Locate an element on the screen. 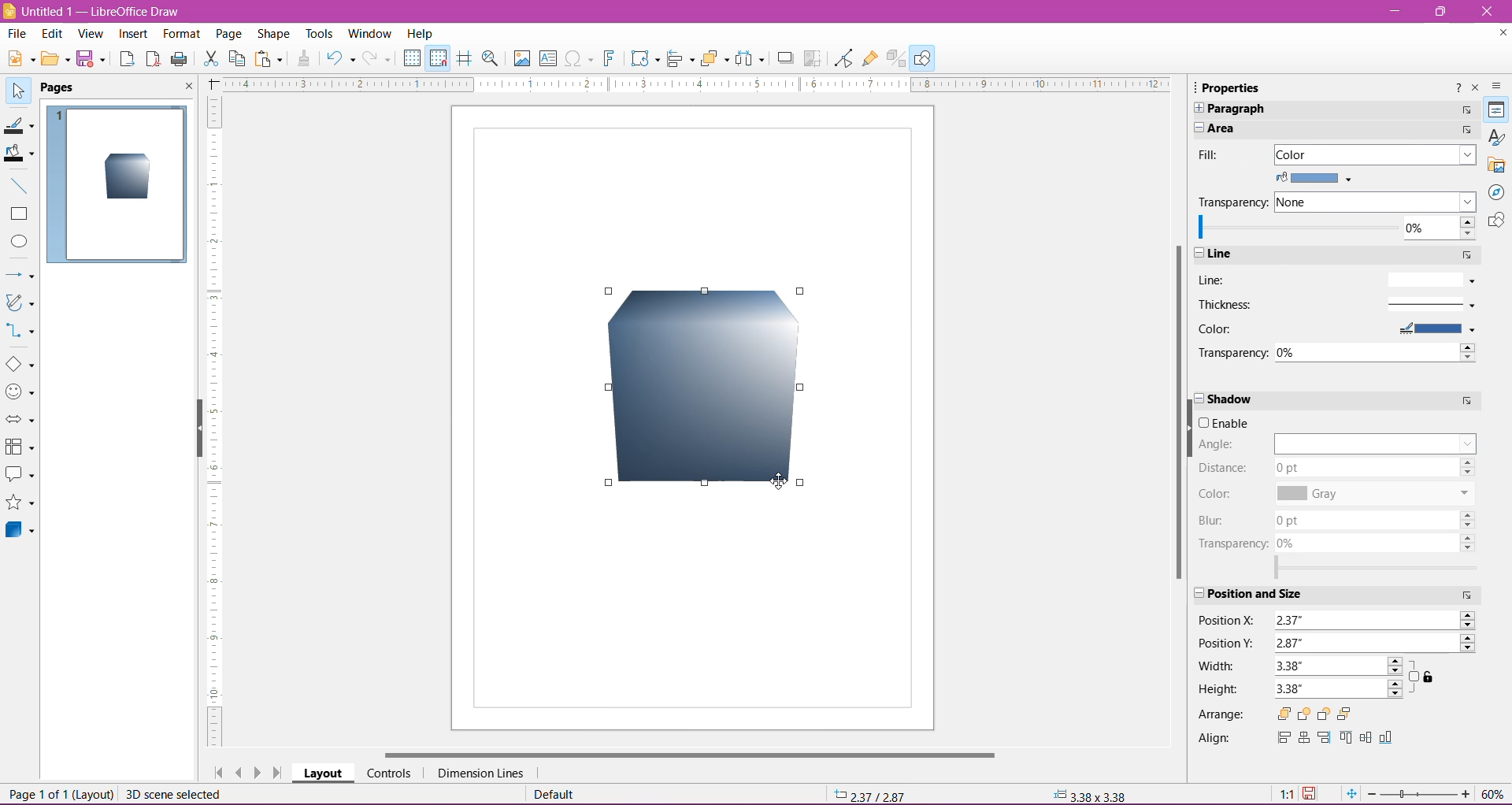 The height and width of the screenshot is (805, 1512). Insert Text Box is located at coordinates (548, 57).